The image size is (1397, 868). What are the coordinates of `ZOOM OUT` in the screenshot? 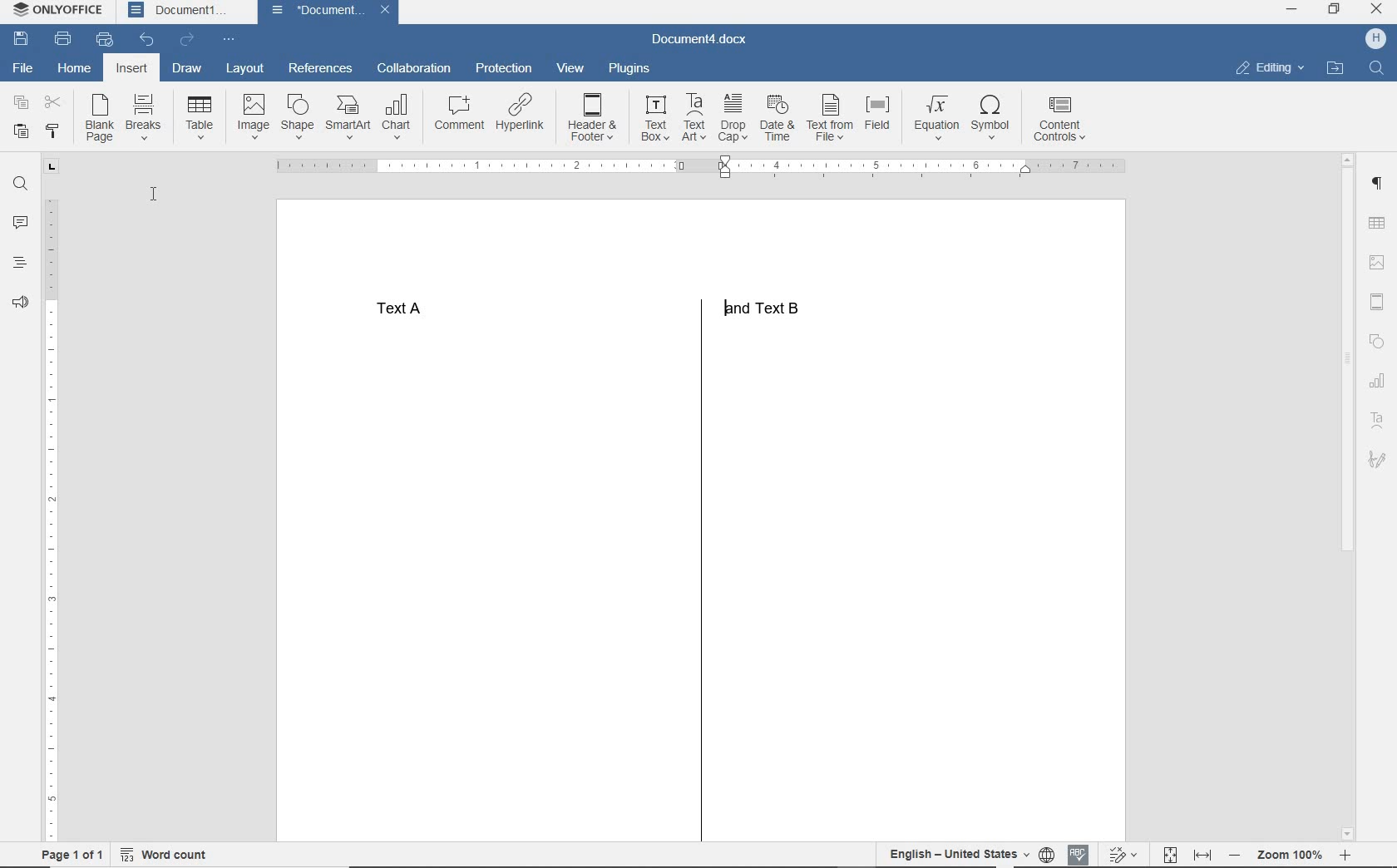 It's located at (1290, 855).